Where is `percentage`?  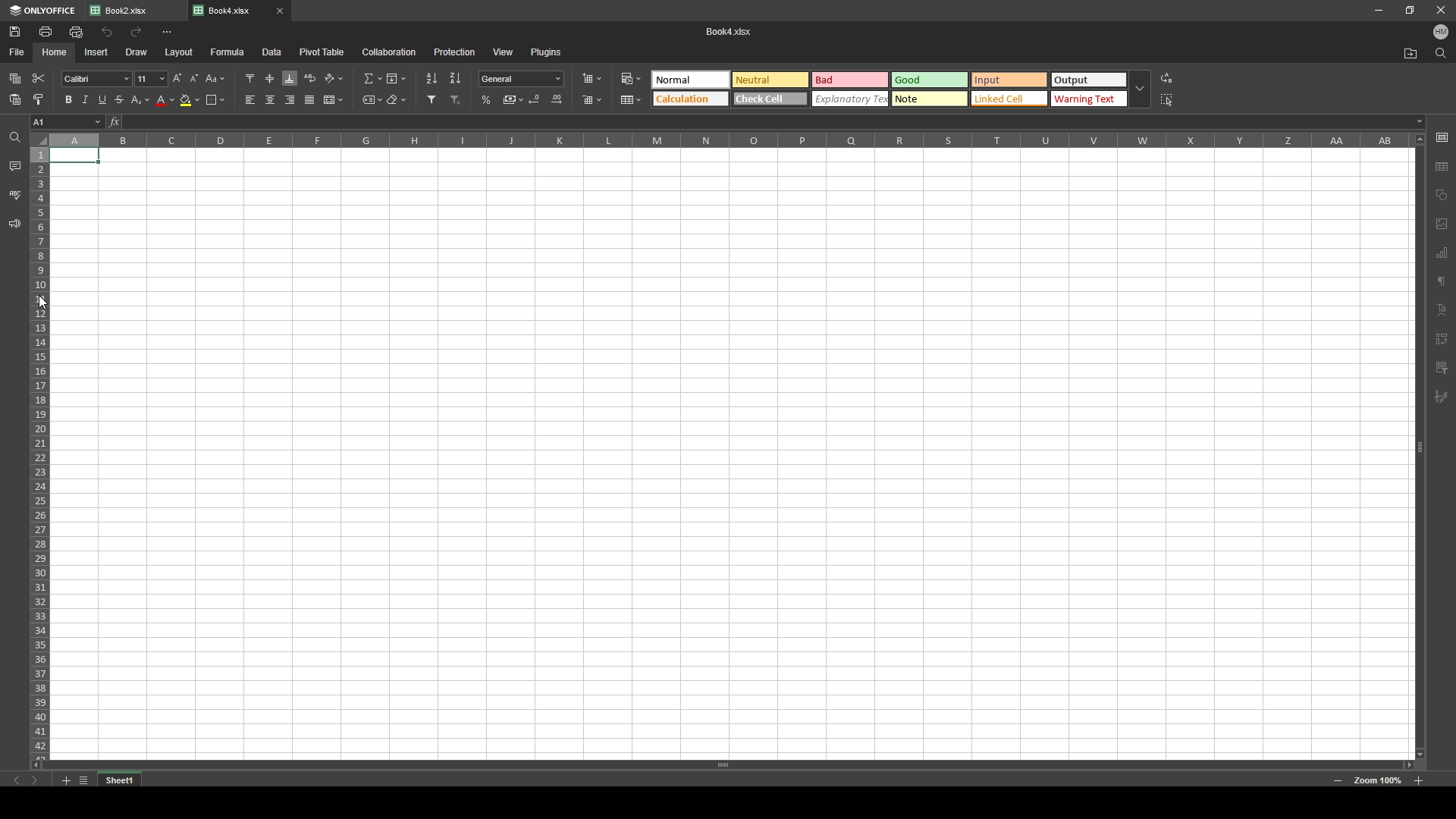
percentage is located at coordinates (487, 100).